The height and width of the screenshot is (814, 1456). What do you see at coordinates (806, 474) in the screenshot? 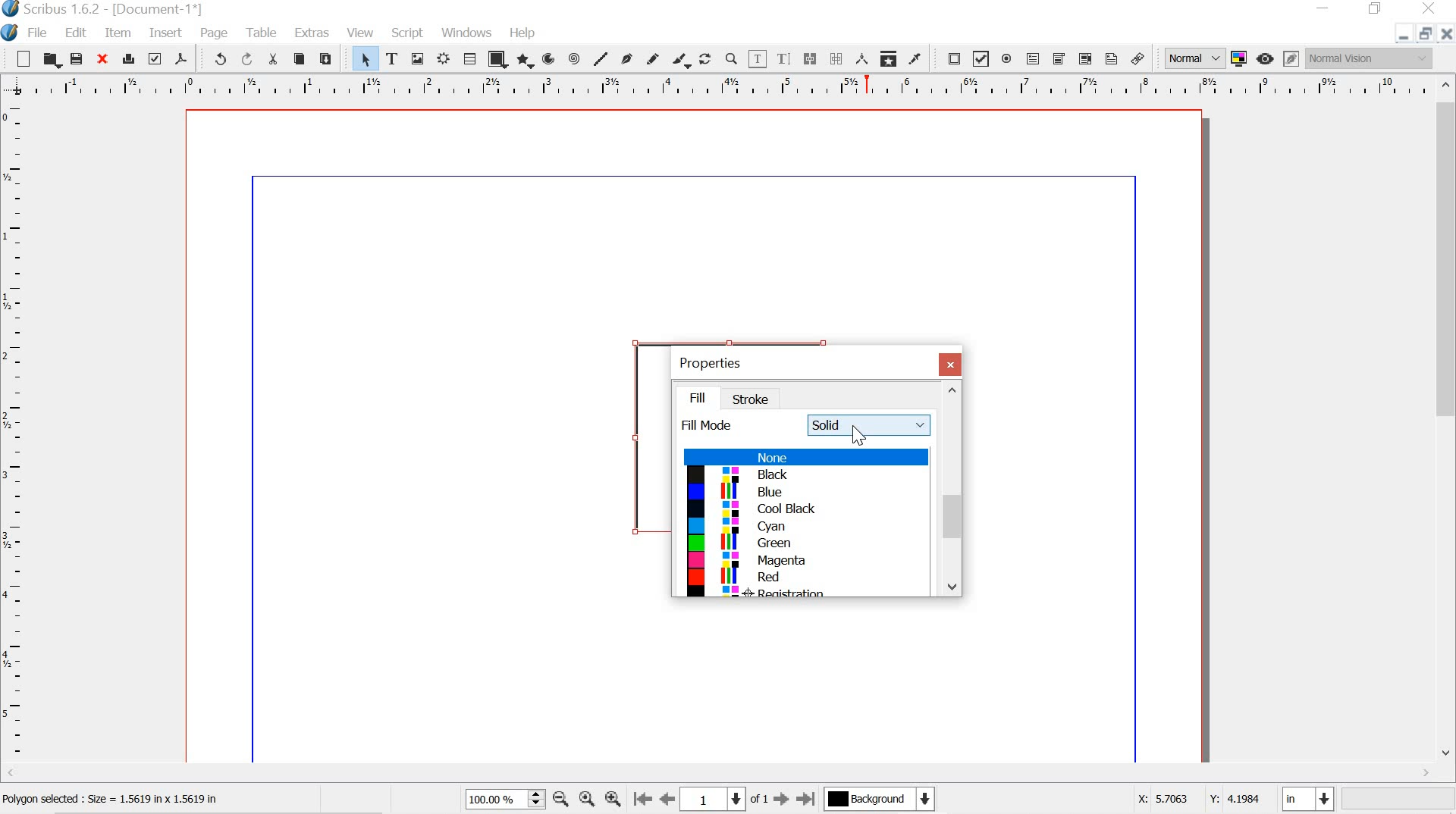
I see `black` at bounding box center [806, 474].